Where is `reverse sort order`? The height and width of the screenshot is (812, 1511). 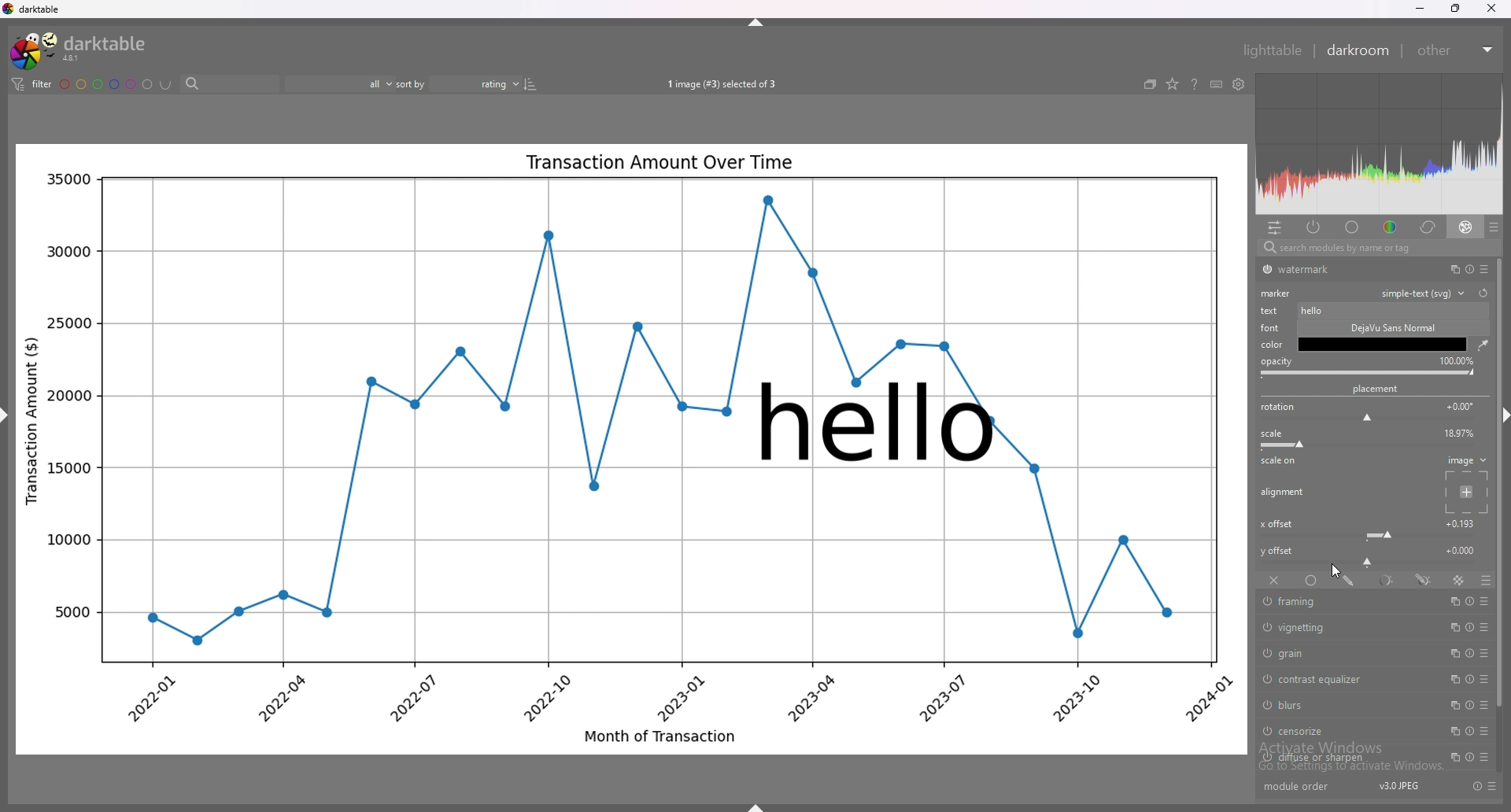
reverse sort order is located at coordinates (530, 83).